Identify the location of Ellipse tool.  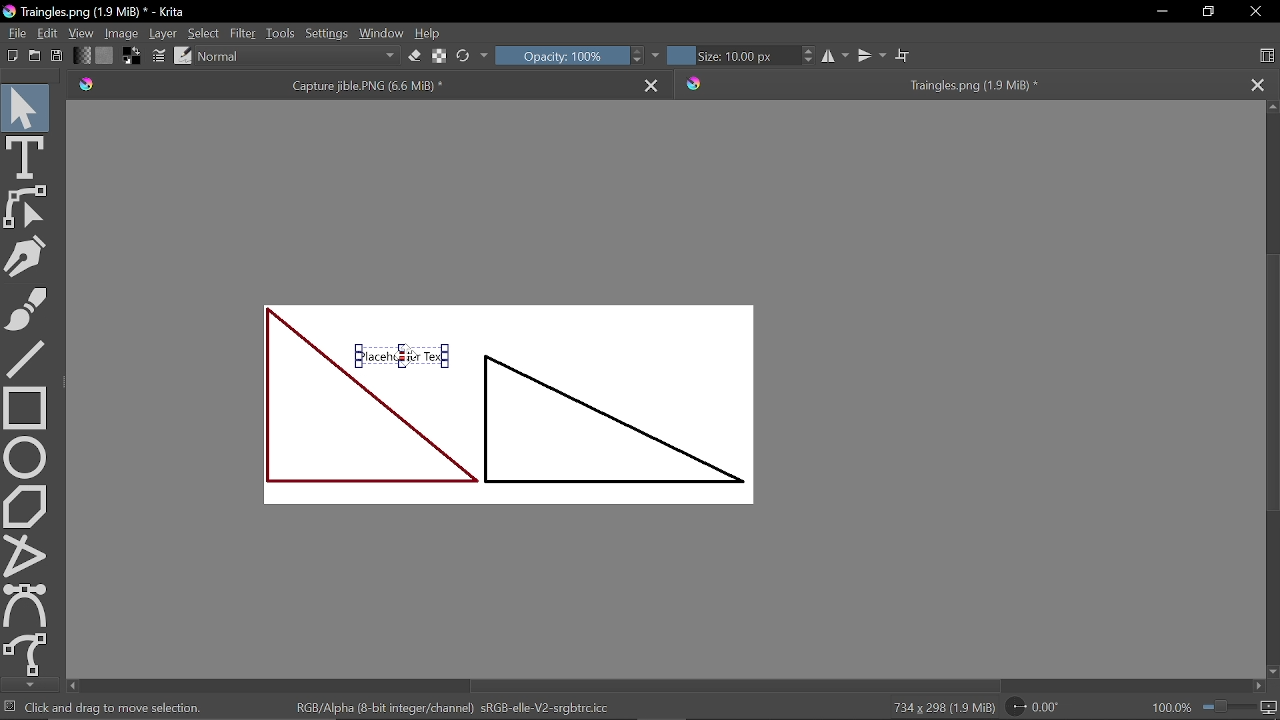
(26, 457).